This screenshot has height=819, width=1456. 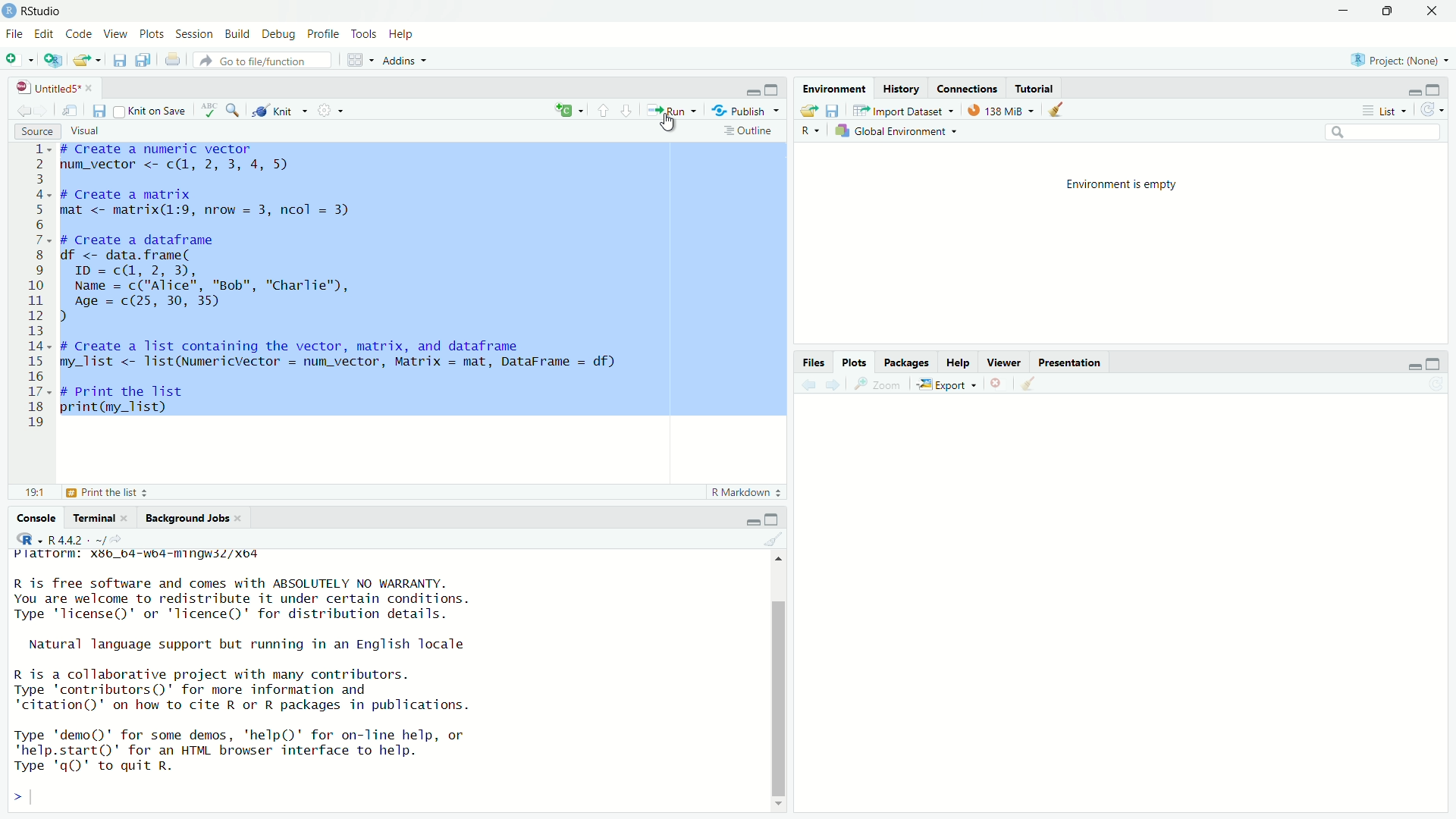 I want to click on 138 MiB ~, so click(x=1003, y=110).